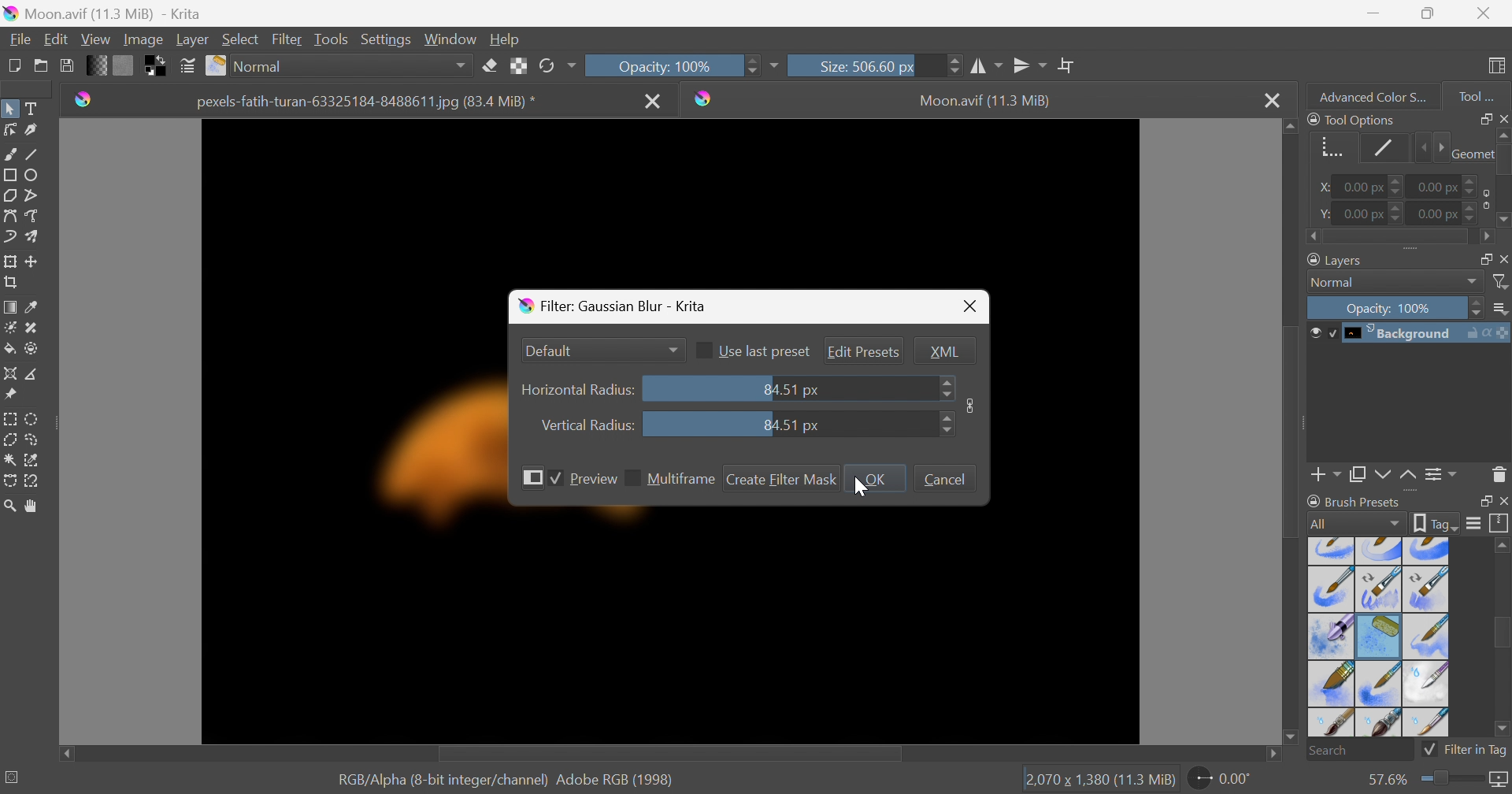  What do you see at coordinates (386, 41) in the screenshot?
I see `Settings` at bounding box center [386, 41].